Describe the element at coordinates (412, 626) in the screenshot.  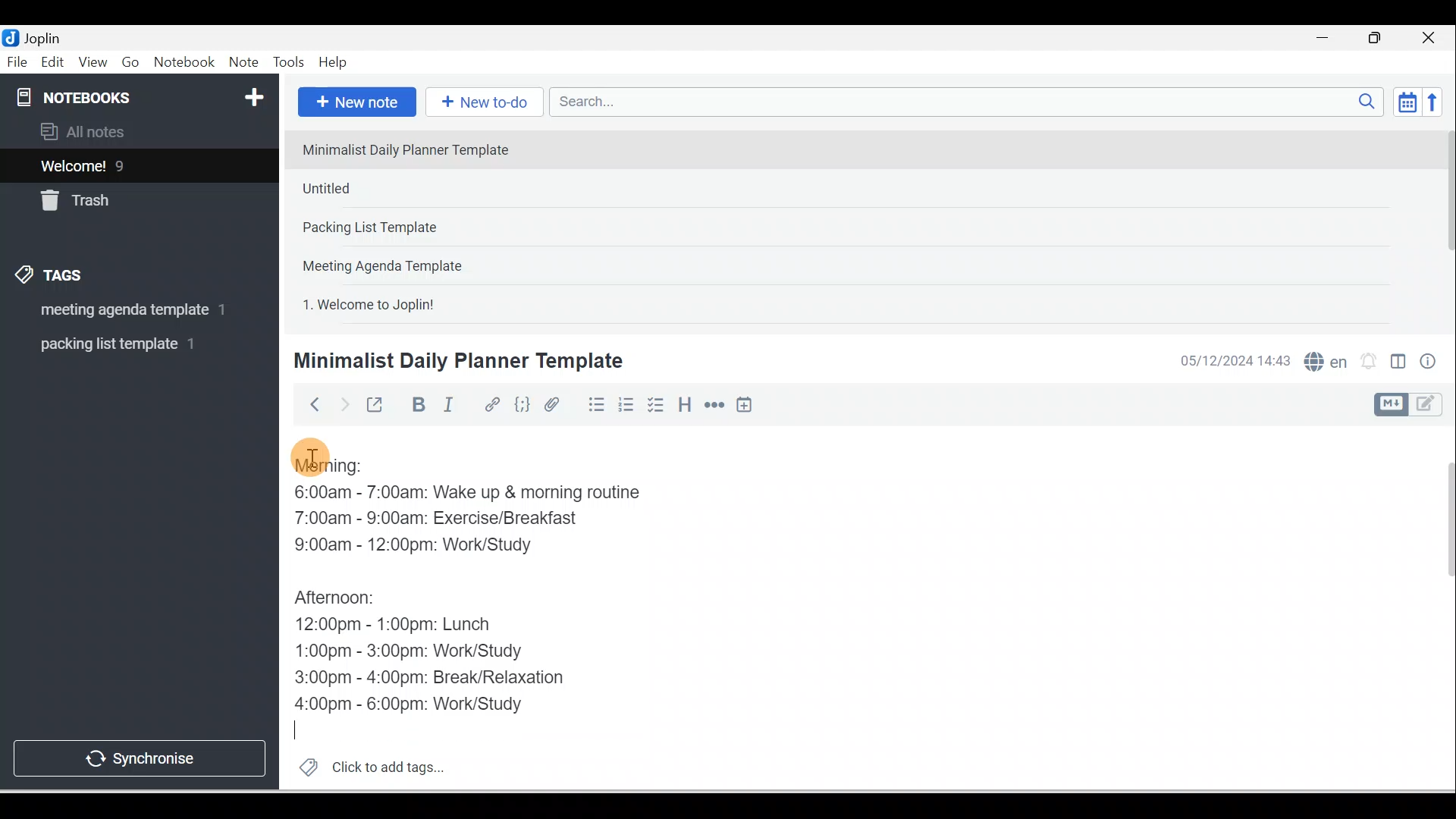
I see `12:00pm - 1:00pm: Lunch` at that location.